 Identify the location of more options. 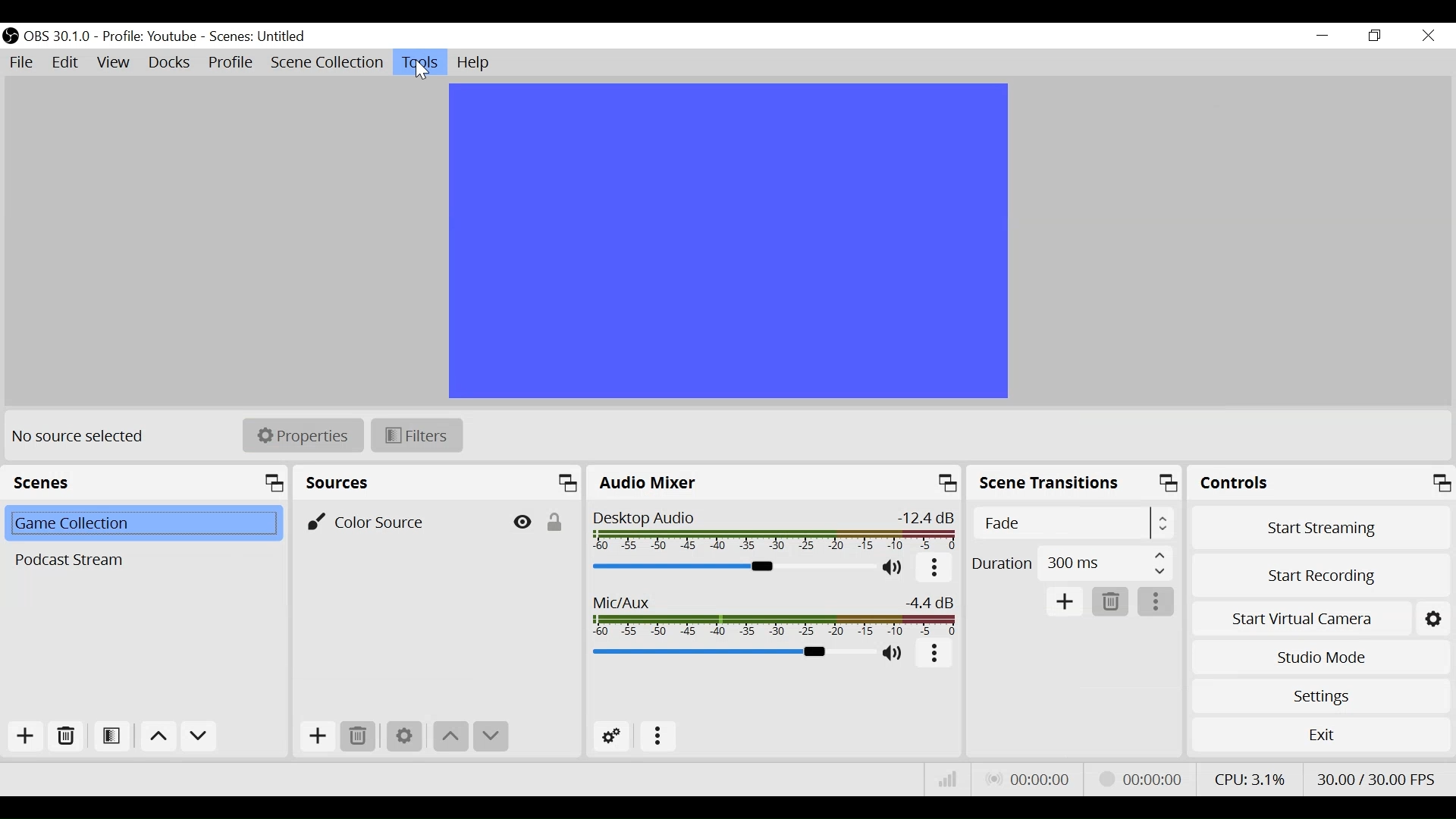
(659, 738).